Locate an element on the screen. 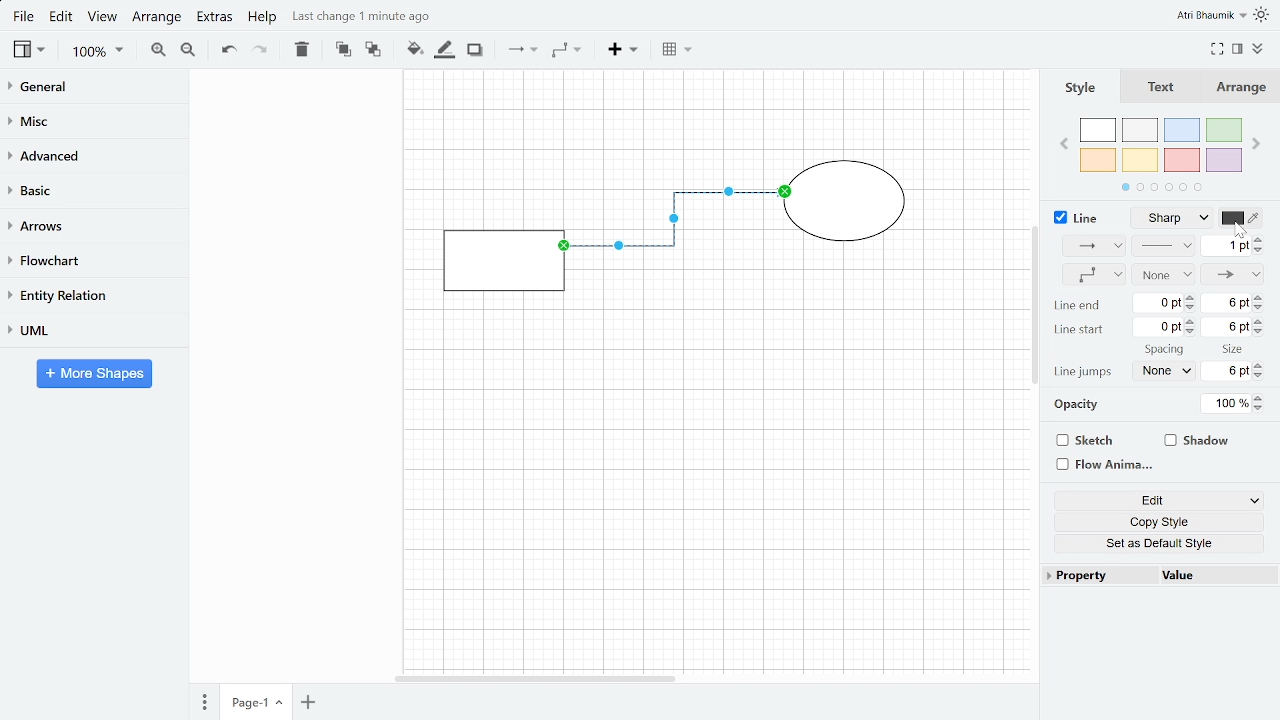 This screenshot has width=1280, height=720. Theme is located at coordinates (1264, 14).